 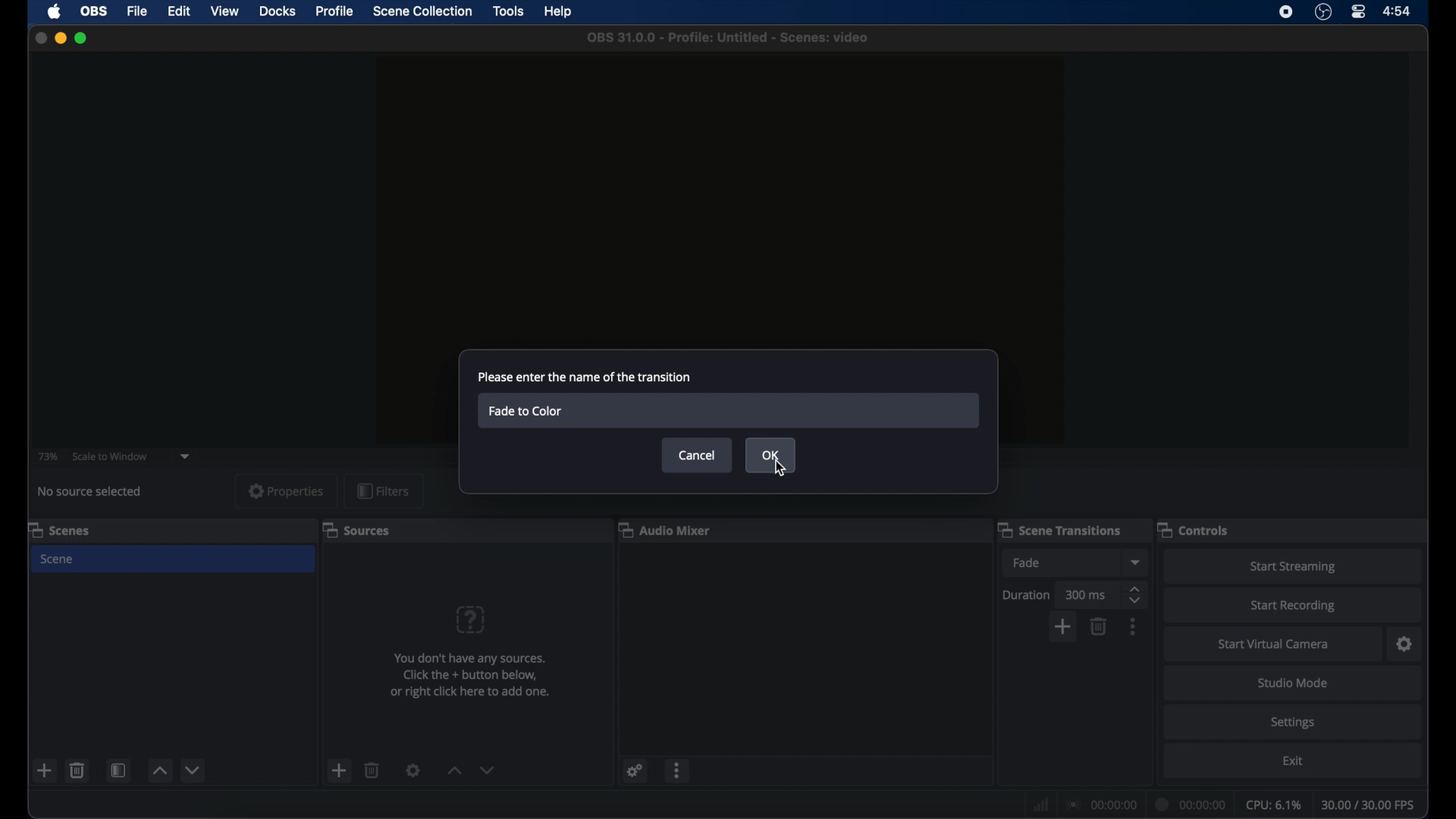 I want to click on ok, so click(x=773, y=453).